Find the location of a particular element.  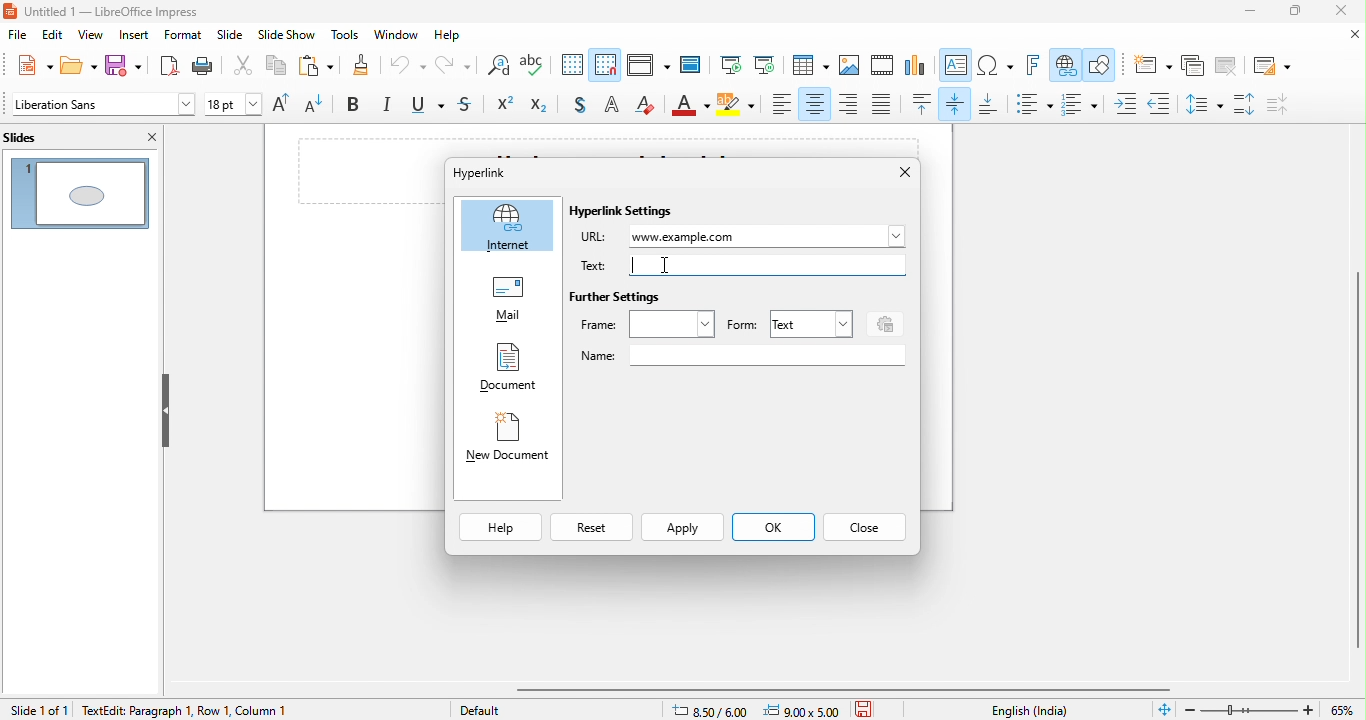

set line spacing is located at coordinates (1202, 103).